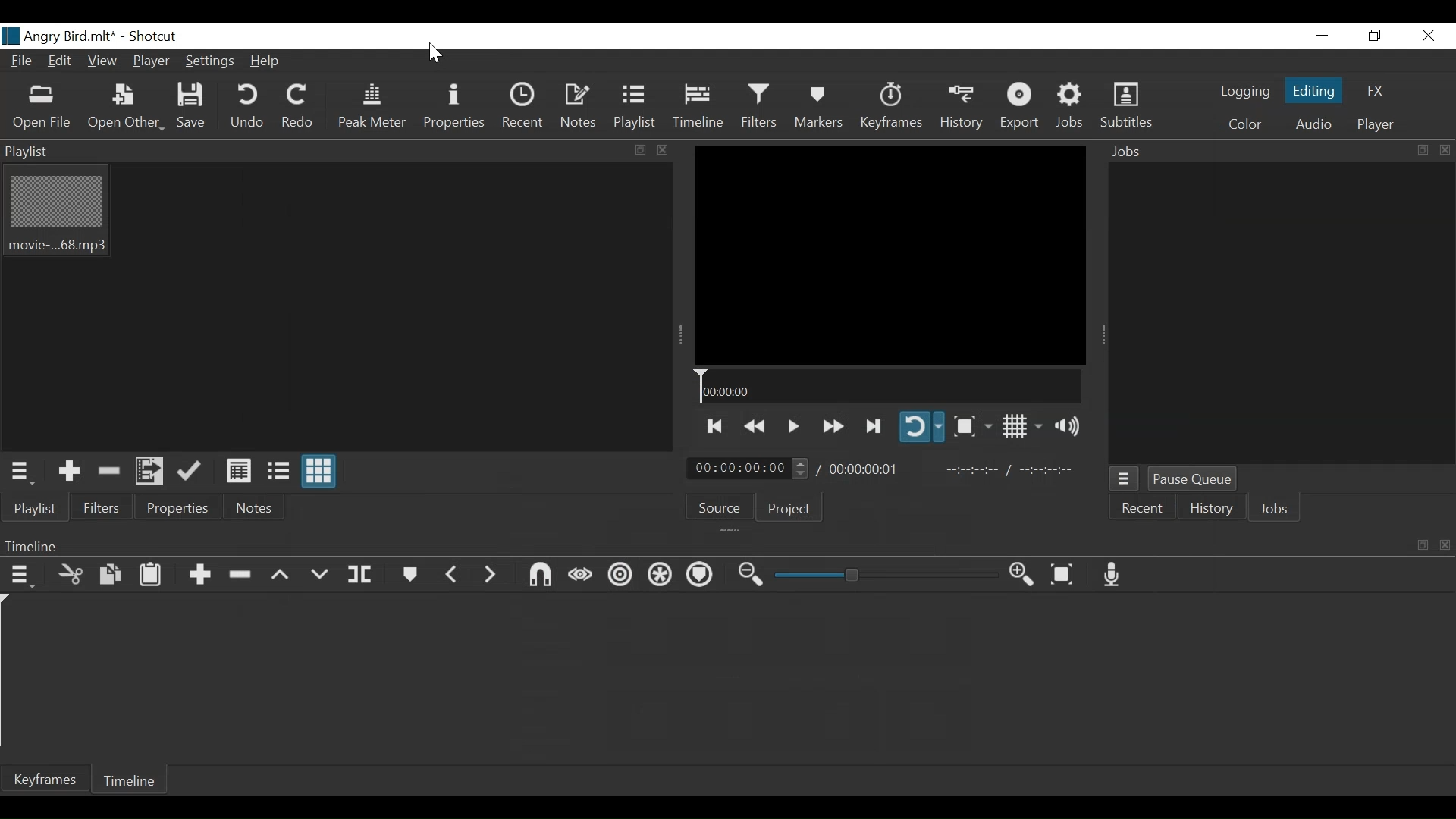 This screenshot has width=1456, height=819. Describe the element at coordinates (701, 574) in the screenshot. I see `Ripple markers` at that location.